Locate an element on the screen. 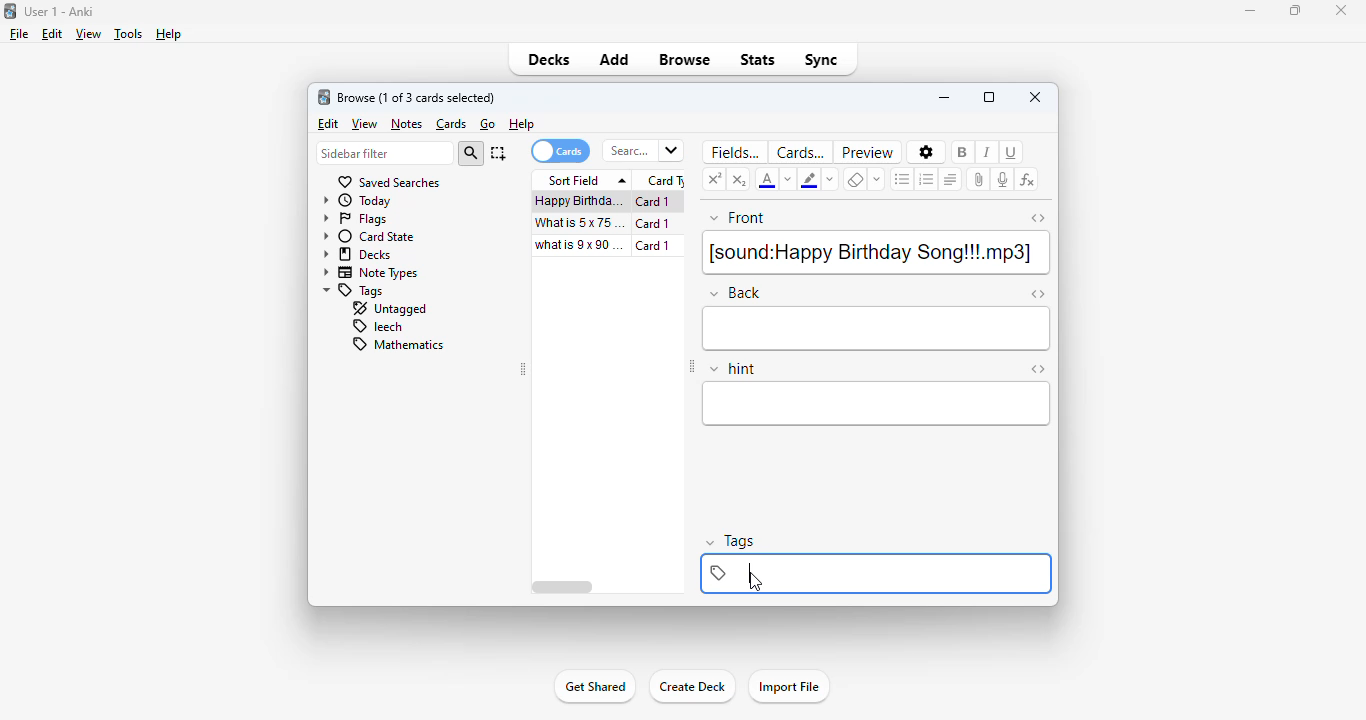  search is located at coordinates (642, 151).